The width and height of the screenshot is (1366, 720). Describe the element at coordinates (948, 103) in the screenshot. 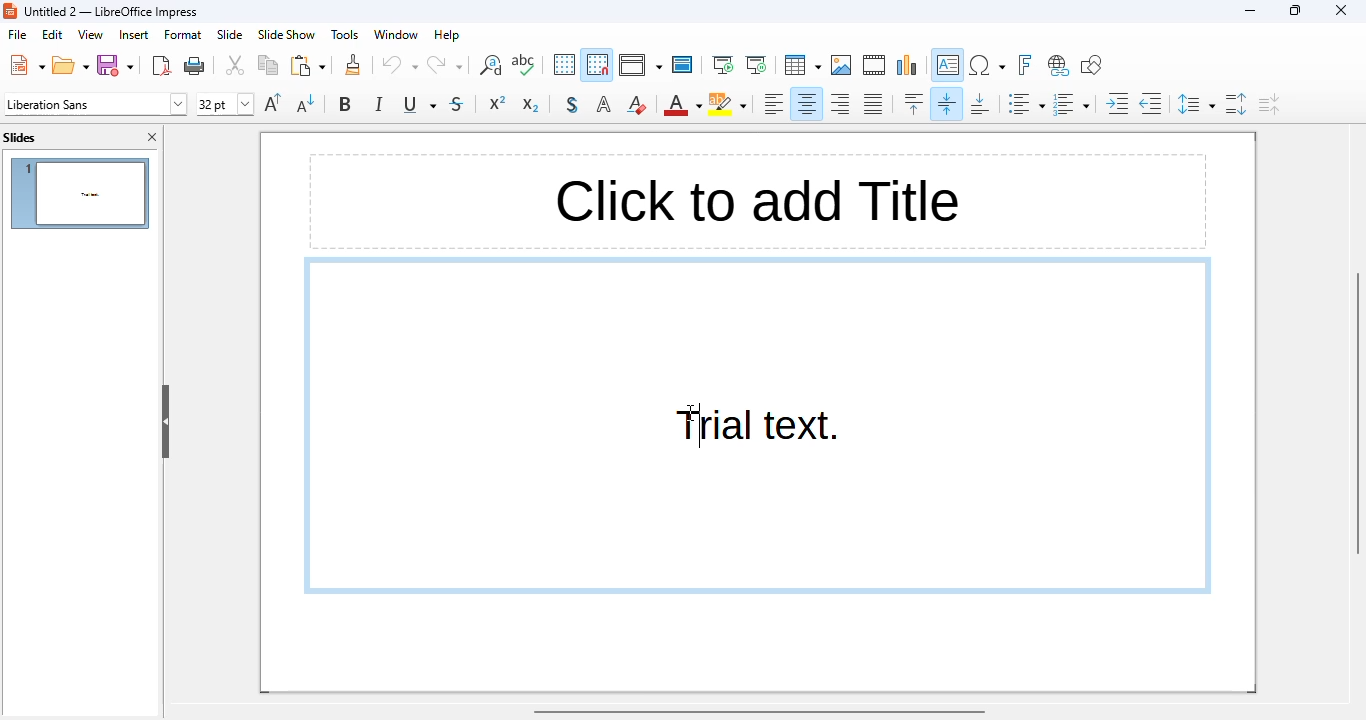

I see `center vertically` at that location.